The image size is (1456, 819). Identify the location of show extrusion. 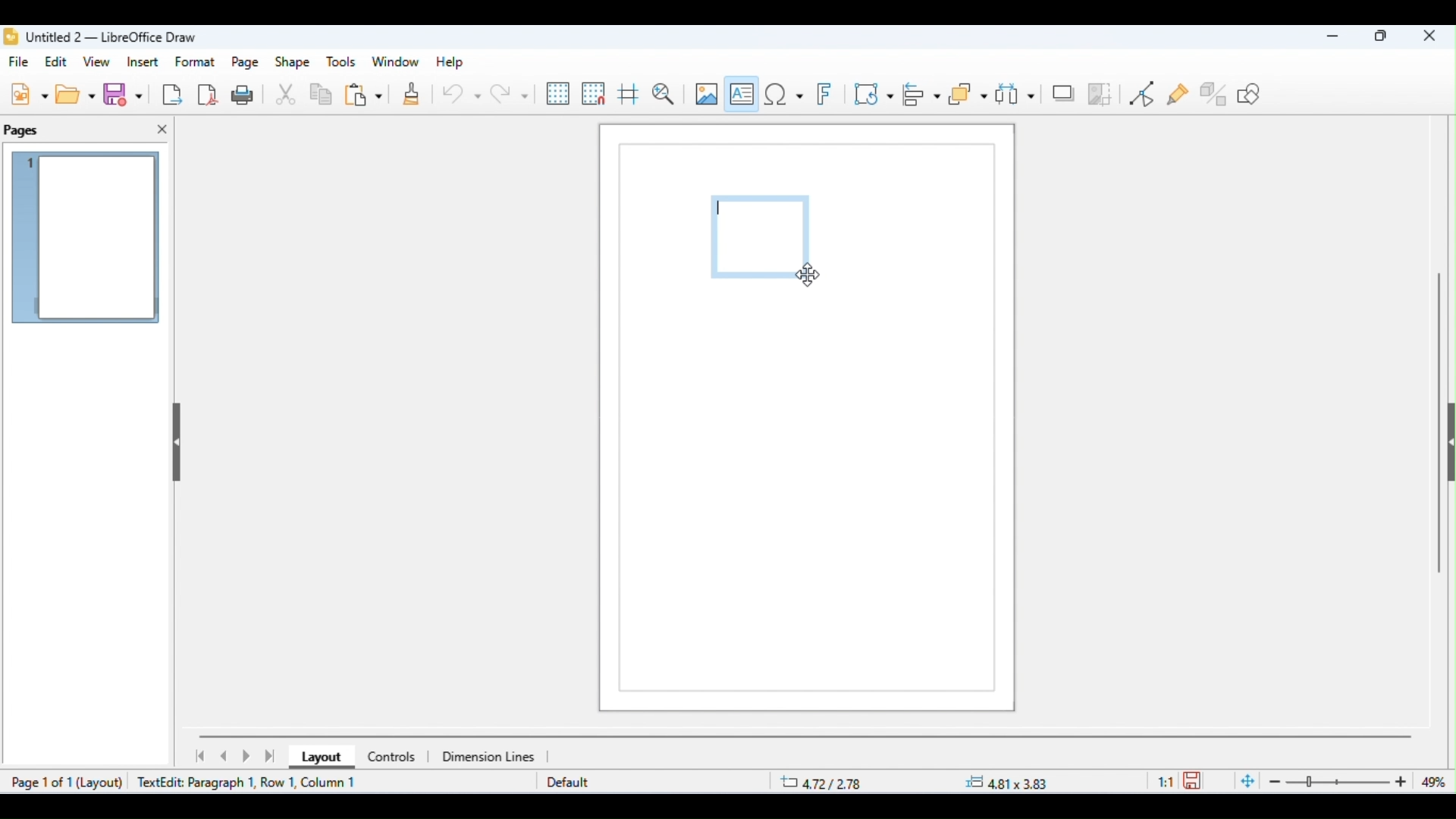
(1215, 93).